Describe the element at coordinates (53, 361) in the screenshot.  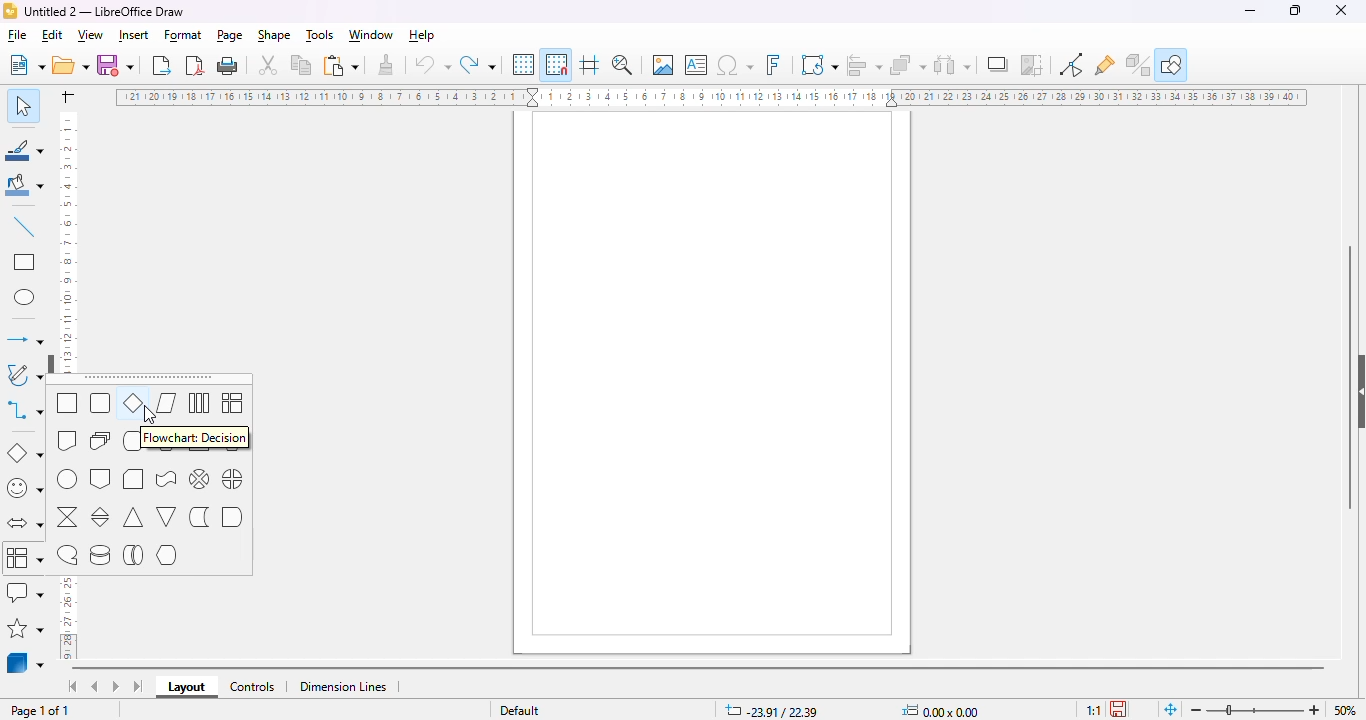
I see `show` at that location.